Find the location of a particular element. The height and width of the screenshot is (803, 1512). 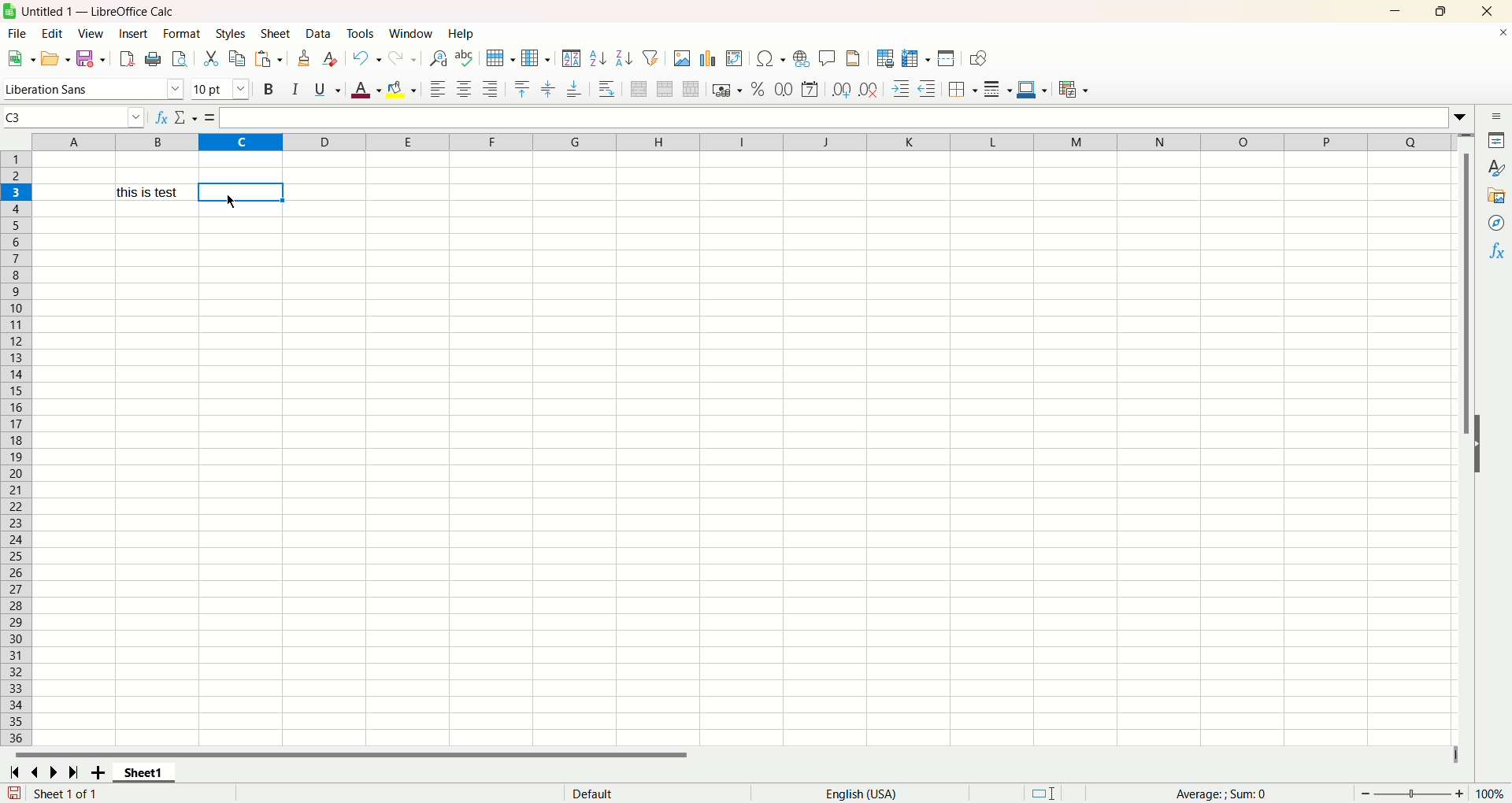

insert comment is located at coordinates (829, 57).